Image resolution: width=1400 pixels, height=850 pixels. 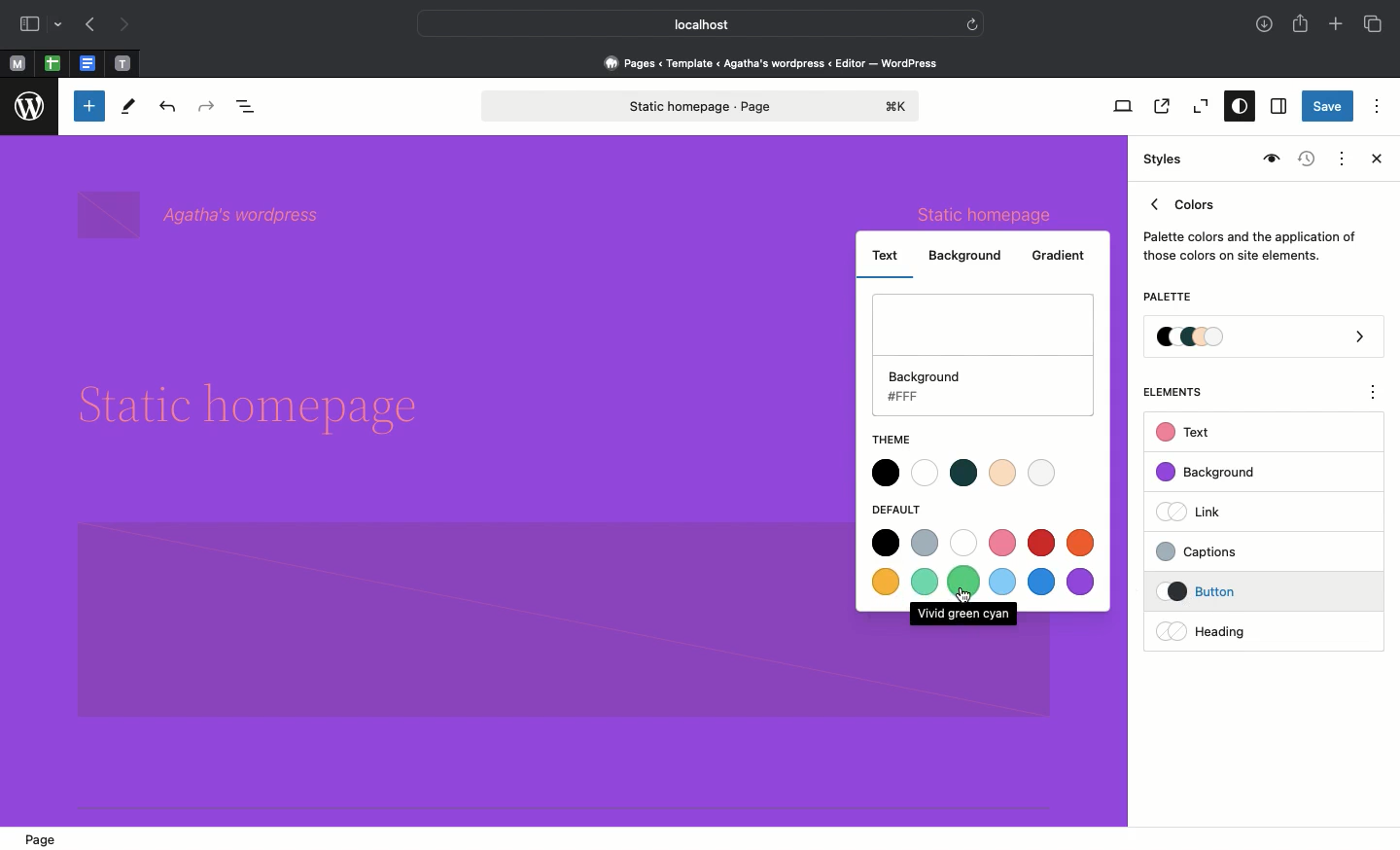 I want to click on Close, so click(x=1373, y=160).